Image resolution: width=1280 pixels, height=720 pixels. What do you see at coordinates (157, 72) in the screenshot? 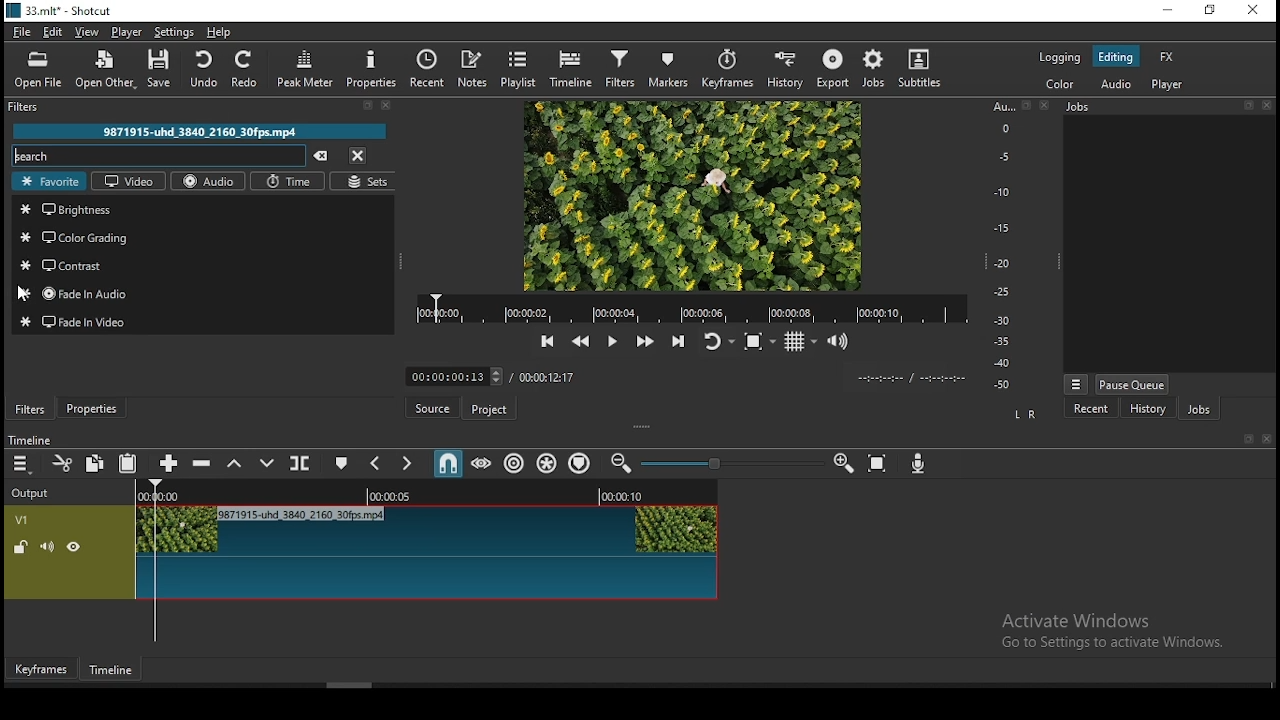
I see `save` at bounding box center [157, 72].